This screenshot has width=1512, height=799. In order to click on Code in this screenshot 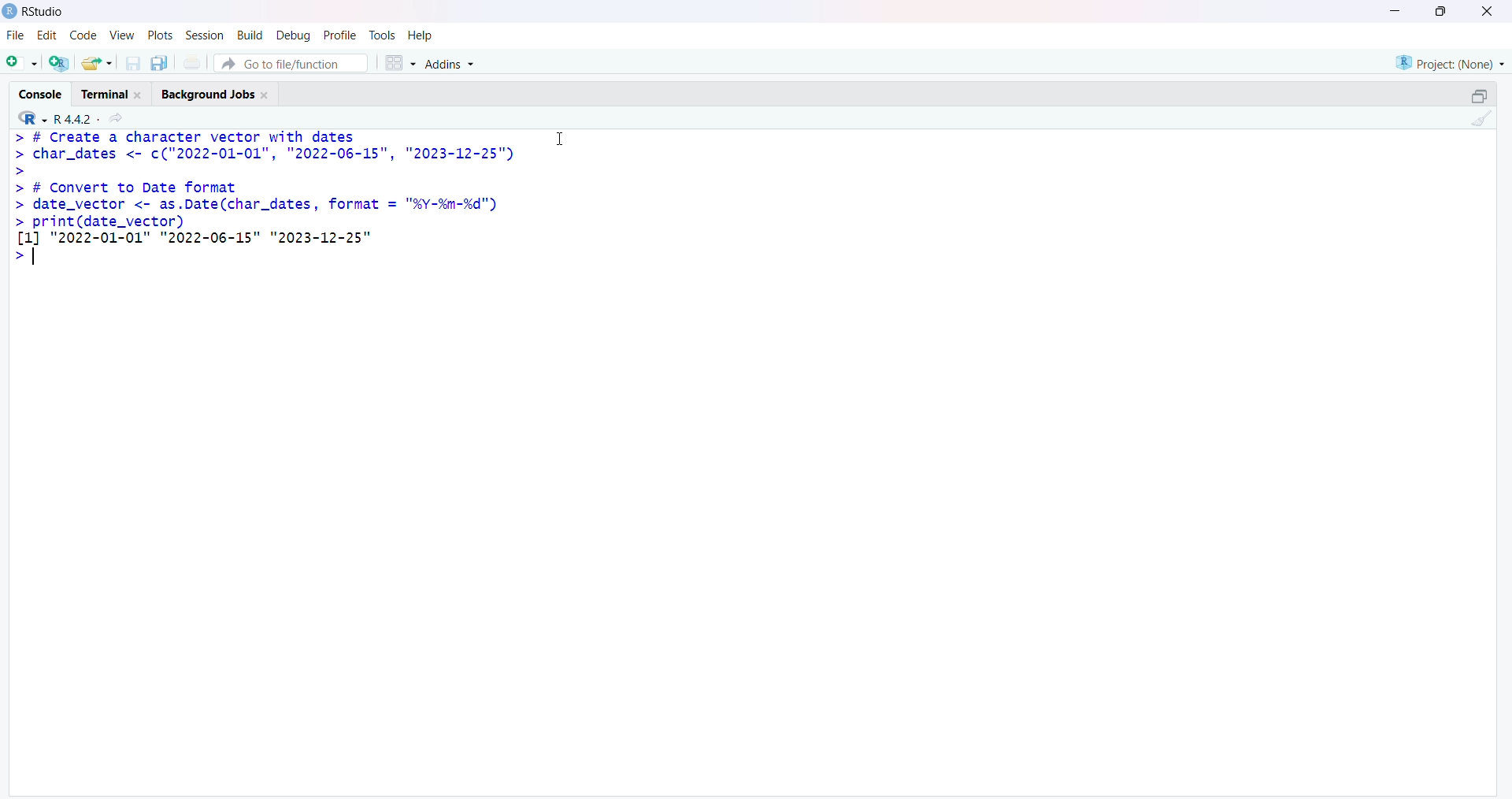, I will do `click(80, 38)`.